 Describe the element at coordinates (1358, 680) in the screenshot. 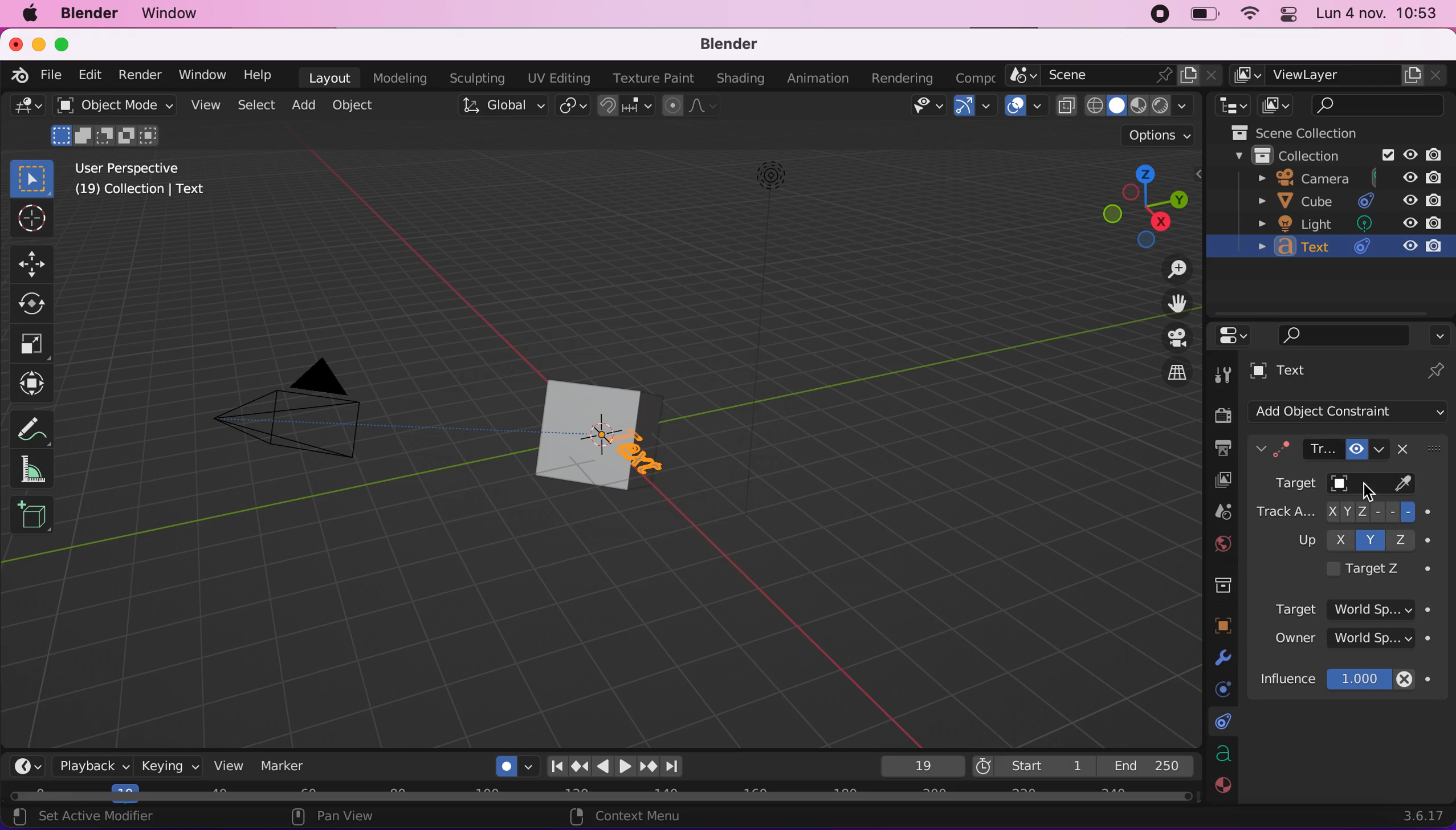

I see `influence` at that location.